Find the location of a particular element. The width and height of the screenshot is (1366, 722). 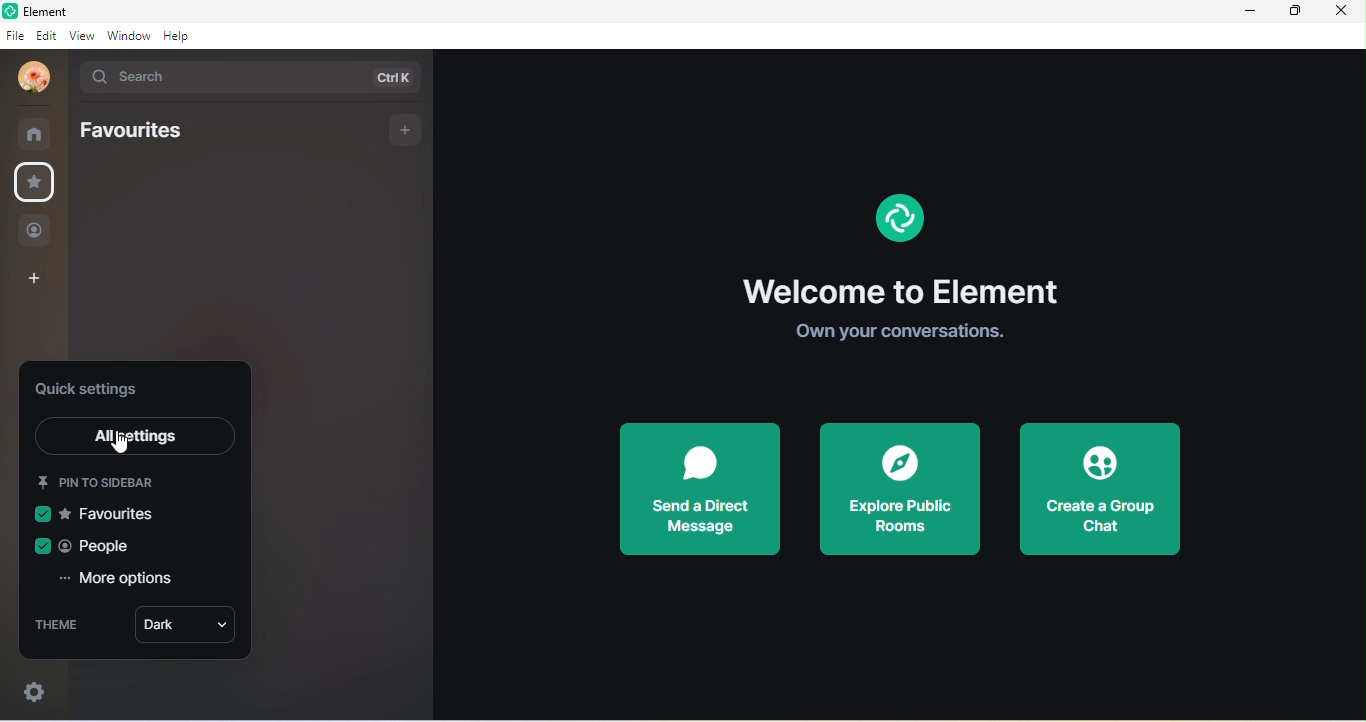

add is located at coordinates (402, 130).